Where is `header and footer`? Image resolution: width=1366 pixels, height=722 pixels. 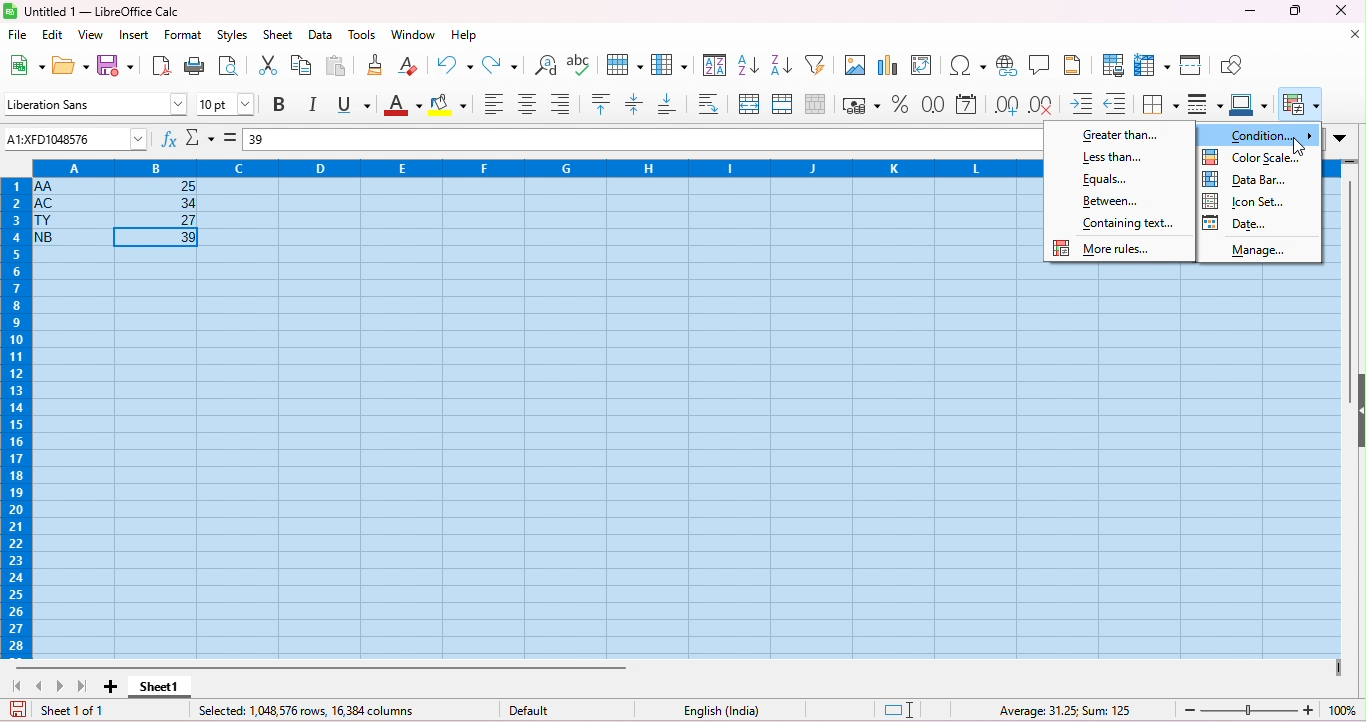
header and footer is located at coordinates (1074, 64).